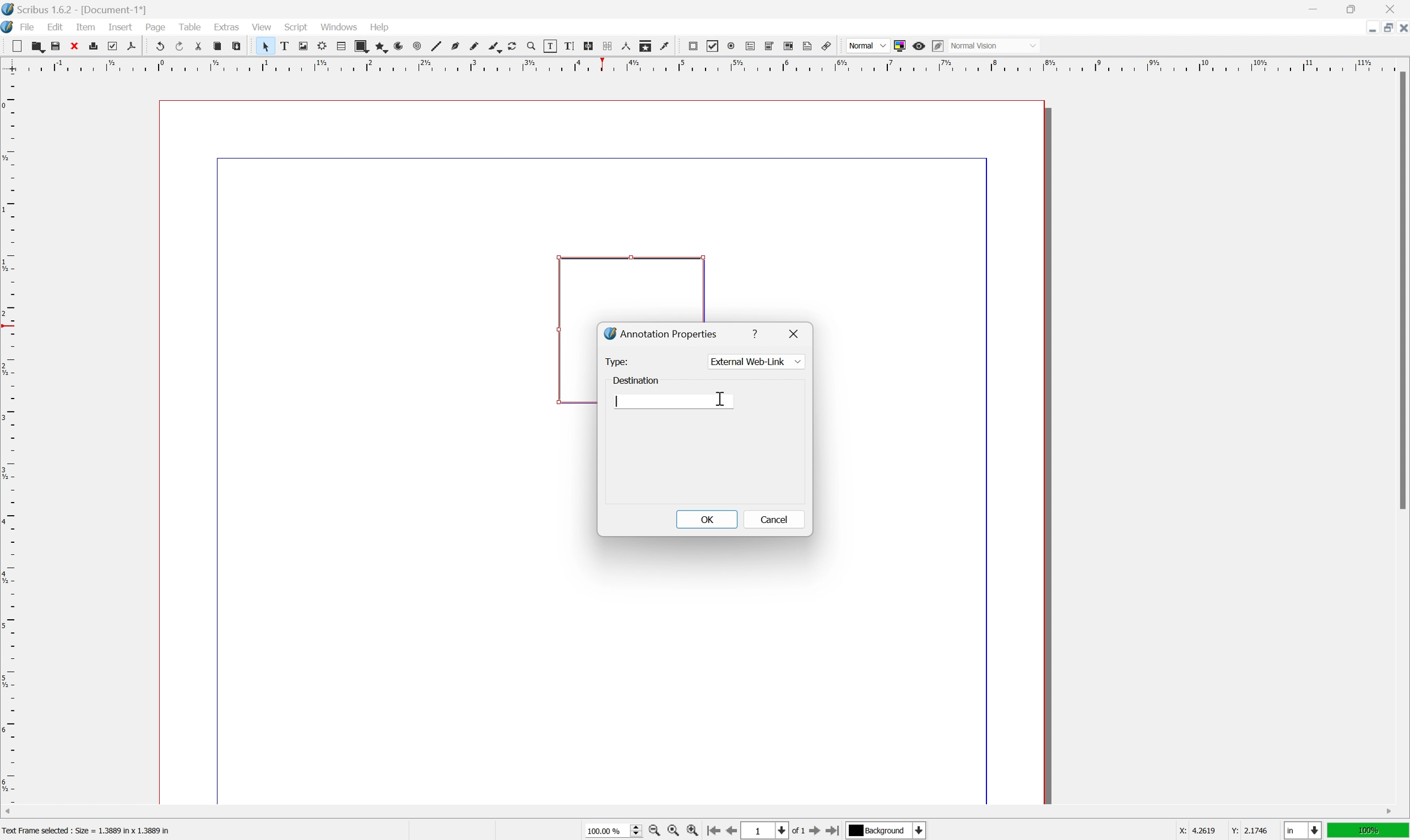  What do you see at coordinates (455, 46) in the screenshot?
I see `bezier curve` at bounding box center [455, 46].